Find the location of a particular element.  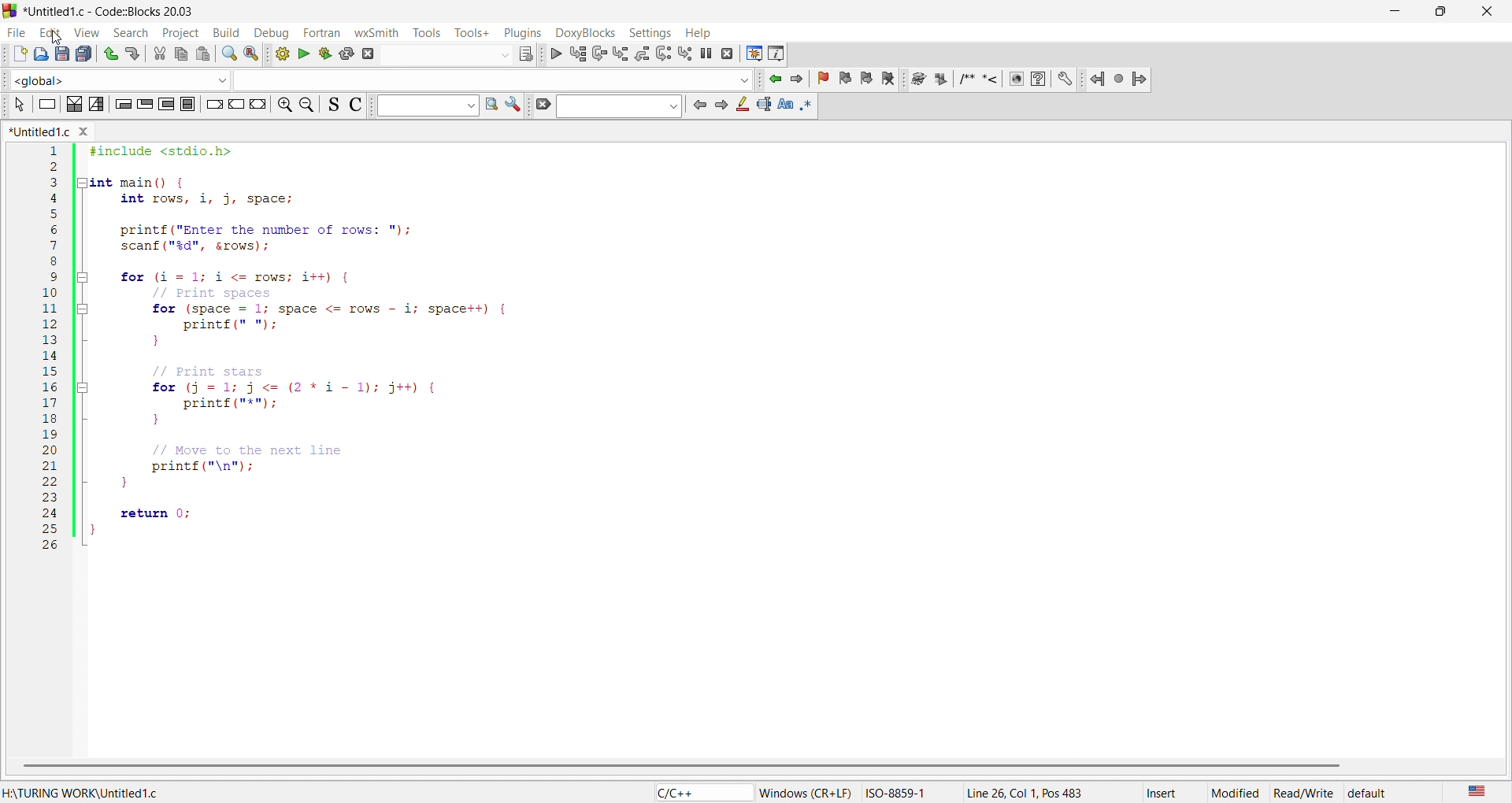

icon is located at coordinates (742, 109).